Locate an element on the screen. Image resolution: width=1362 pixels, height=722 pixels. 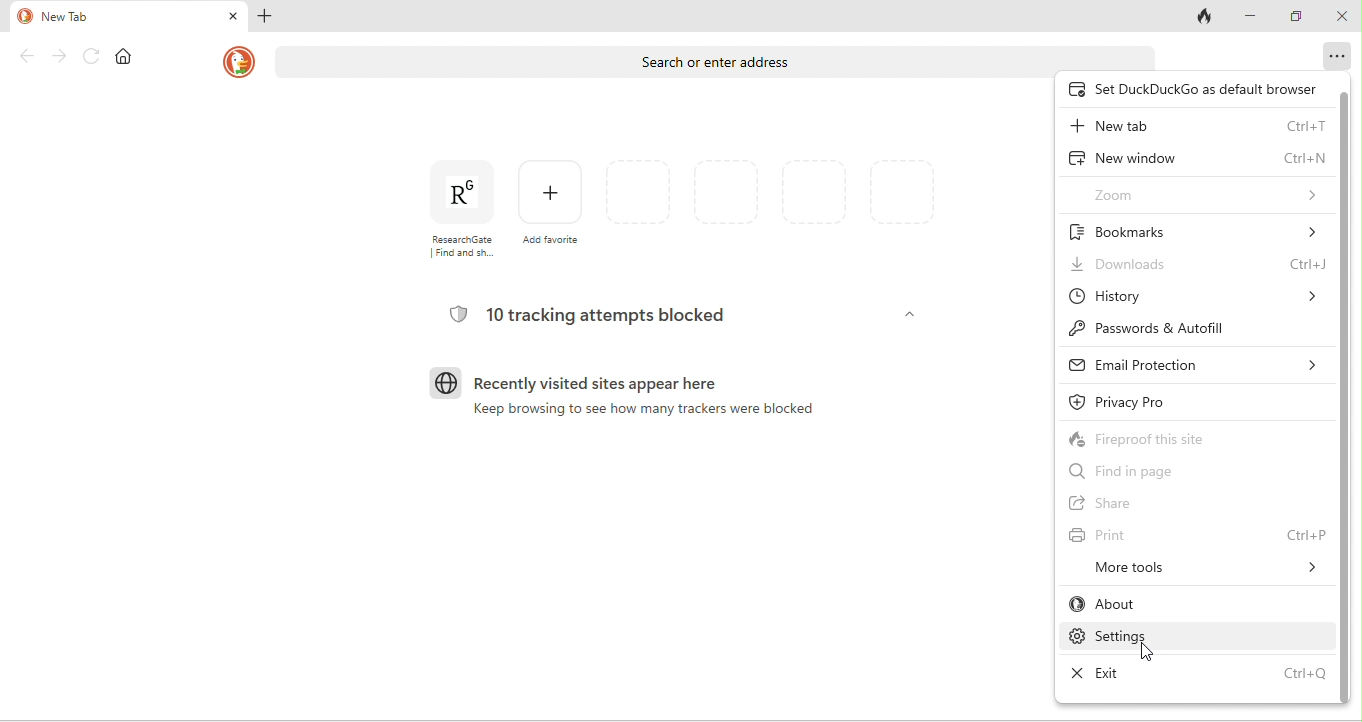
new tab is located at coordinates (114, 15).